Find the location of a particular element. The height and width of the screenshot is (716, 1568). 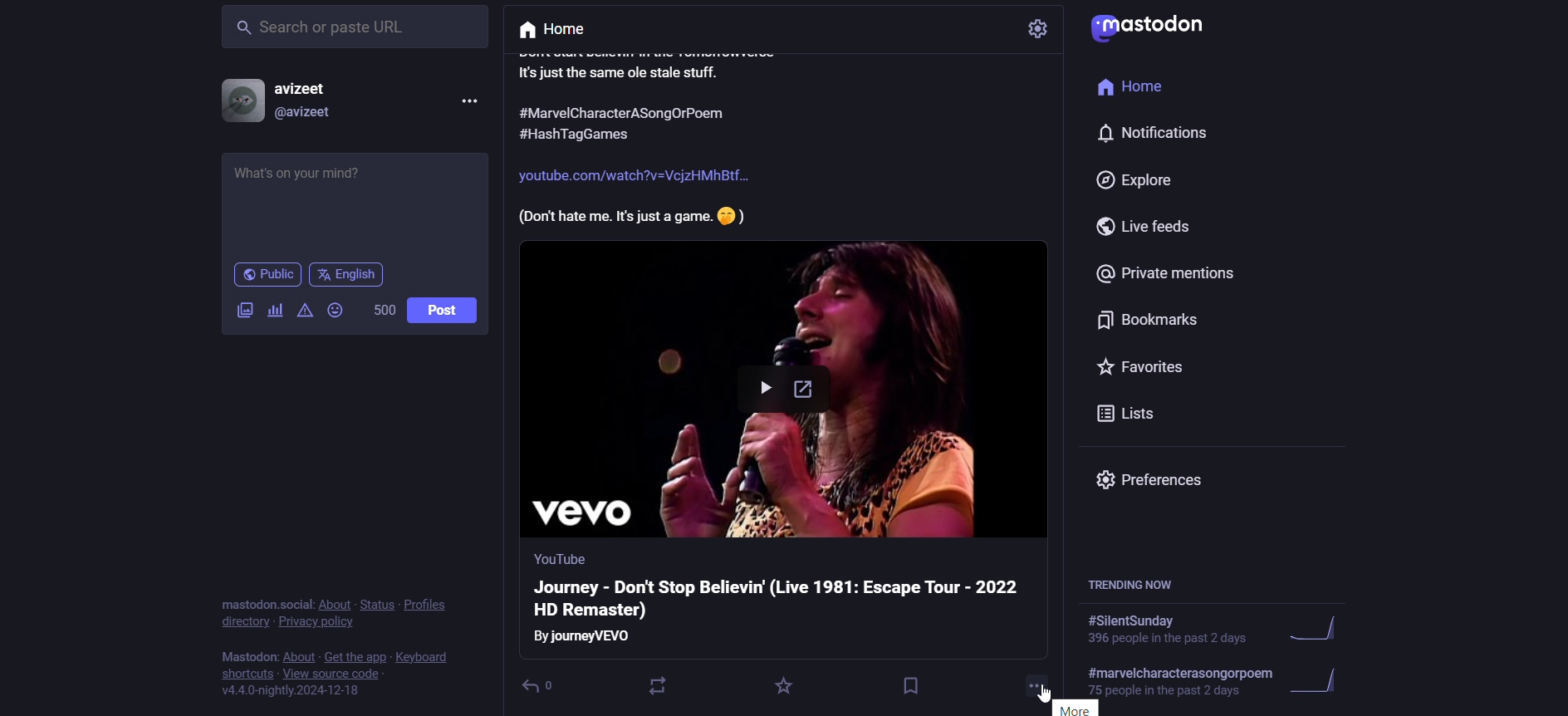

text is located at coordinates (266, 603).